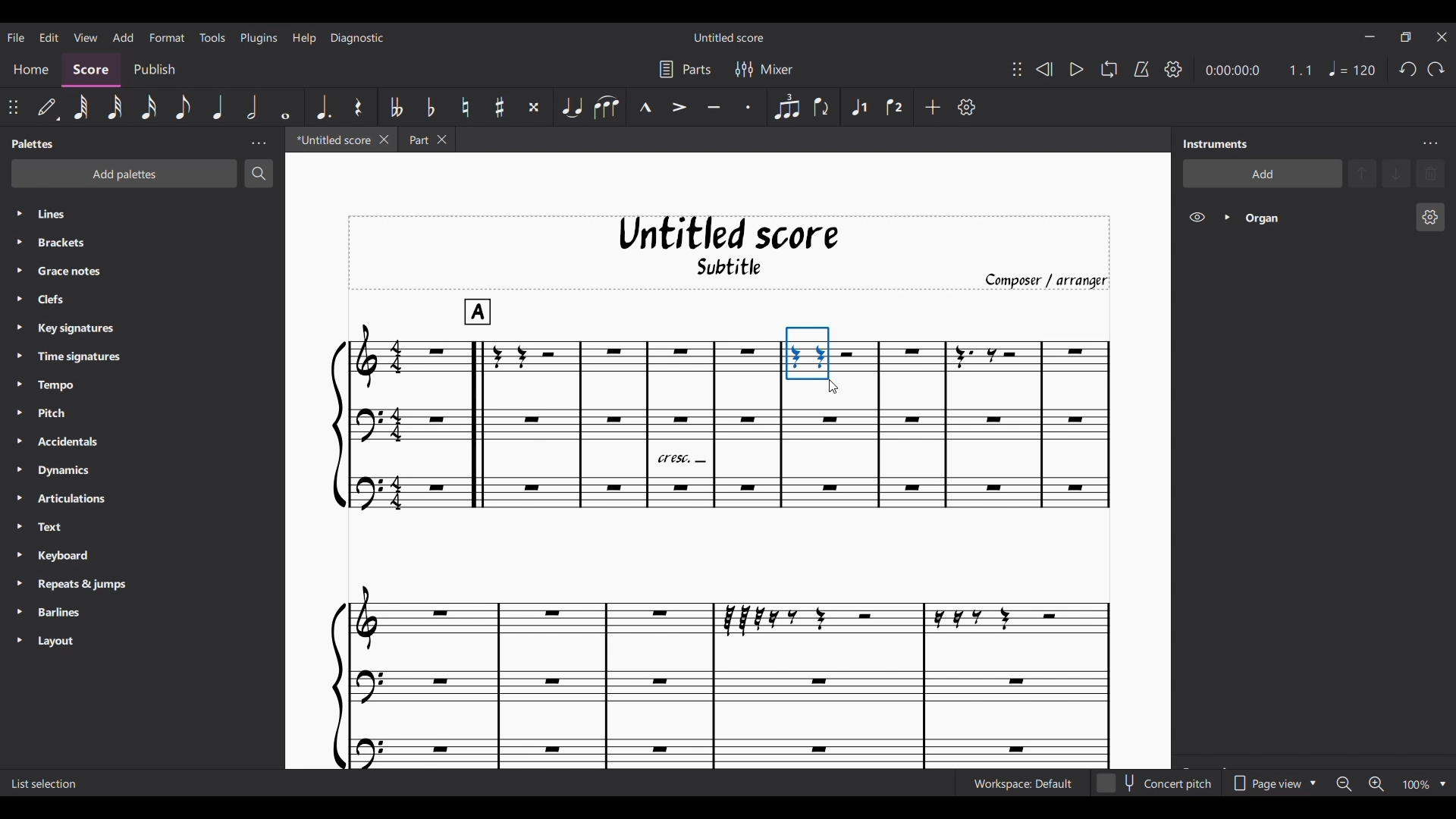 Image resolution: width=1456 pixels, height=819 pixels. Describe the element at coordinates (1259, 71) in the screenshot. I see `Current ratio and duration of score` at that location.